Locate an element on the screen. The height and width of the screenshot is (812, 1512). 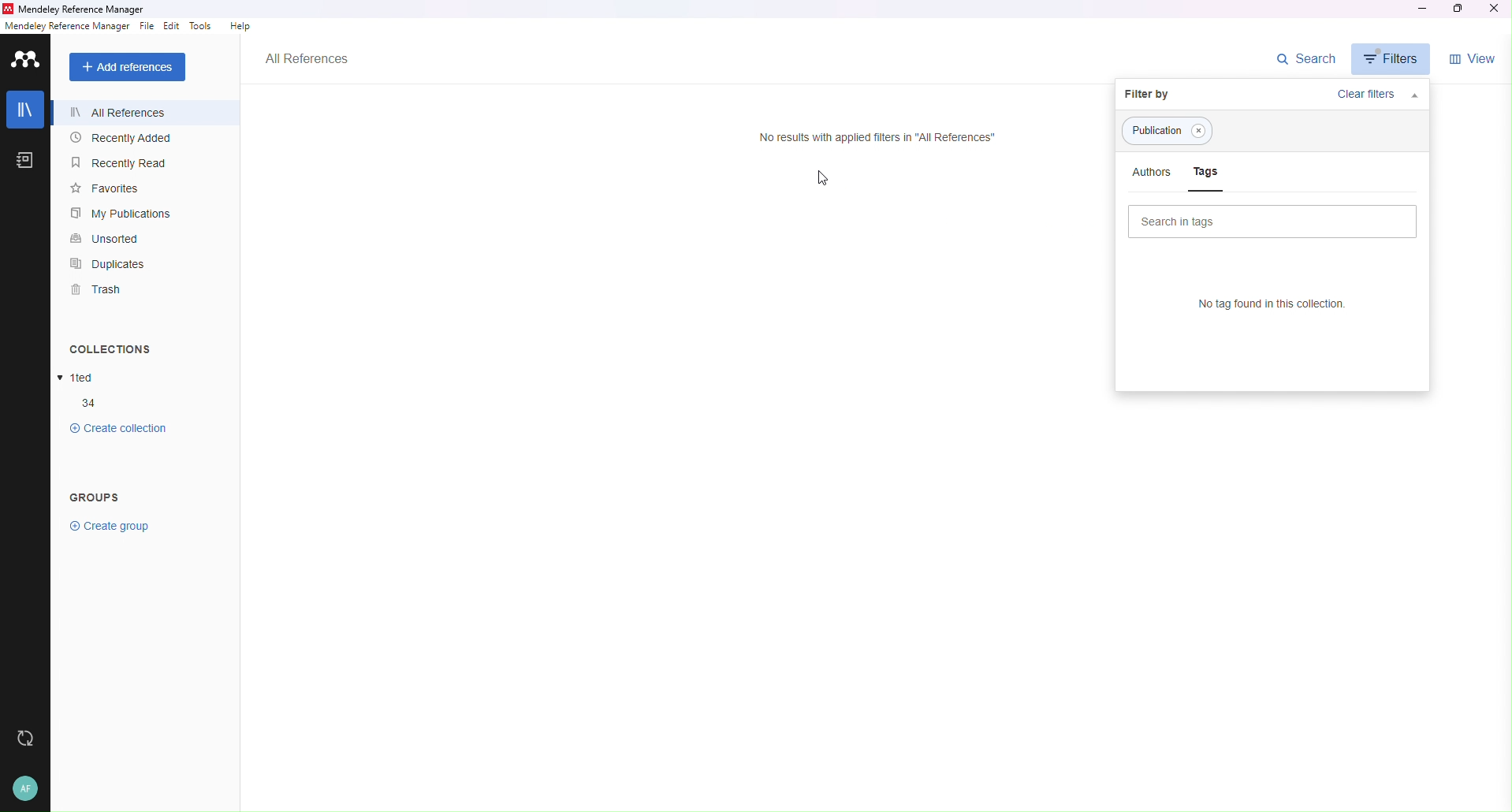
collections is located at coordinates (121, 429).